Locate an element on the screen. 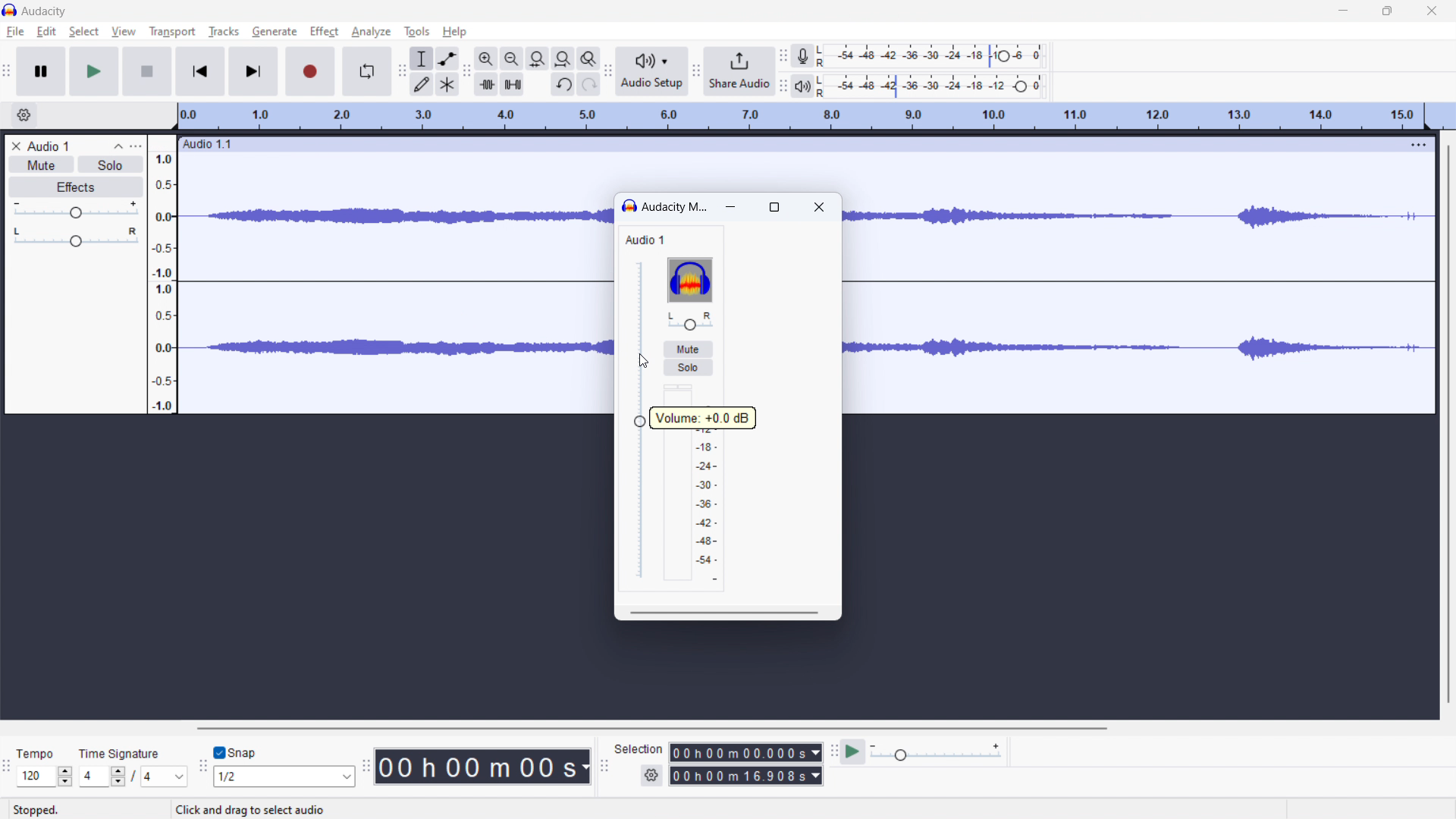 The image size is (1456, 819). minimize is located at coordinates (1345, 10).